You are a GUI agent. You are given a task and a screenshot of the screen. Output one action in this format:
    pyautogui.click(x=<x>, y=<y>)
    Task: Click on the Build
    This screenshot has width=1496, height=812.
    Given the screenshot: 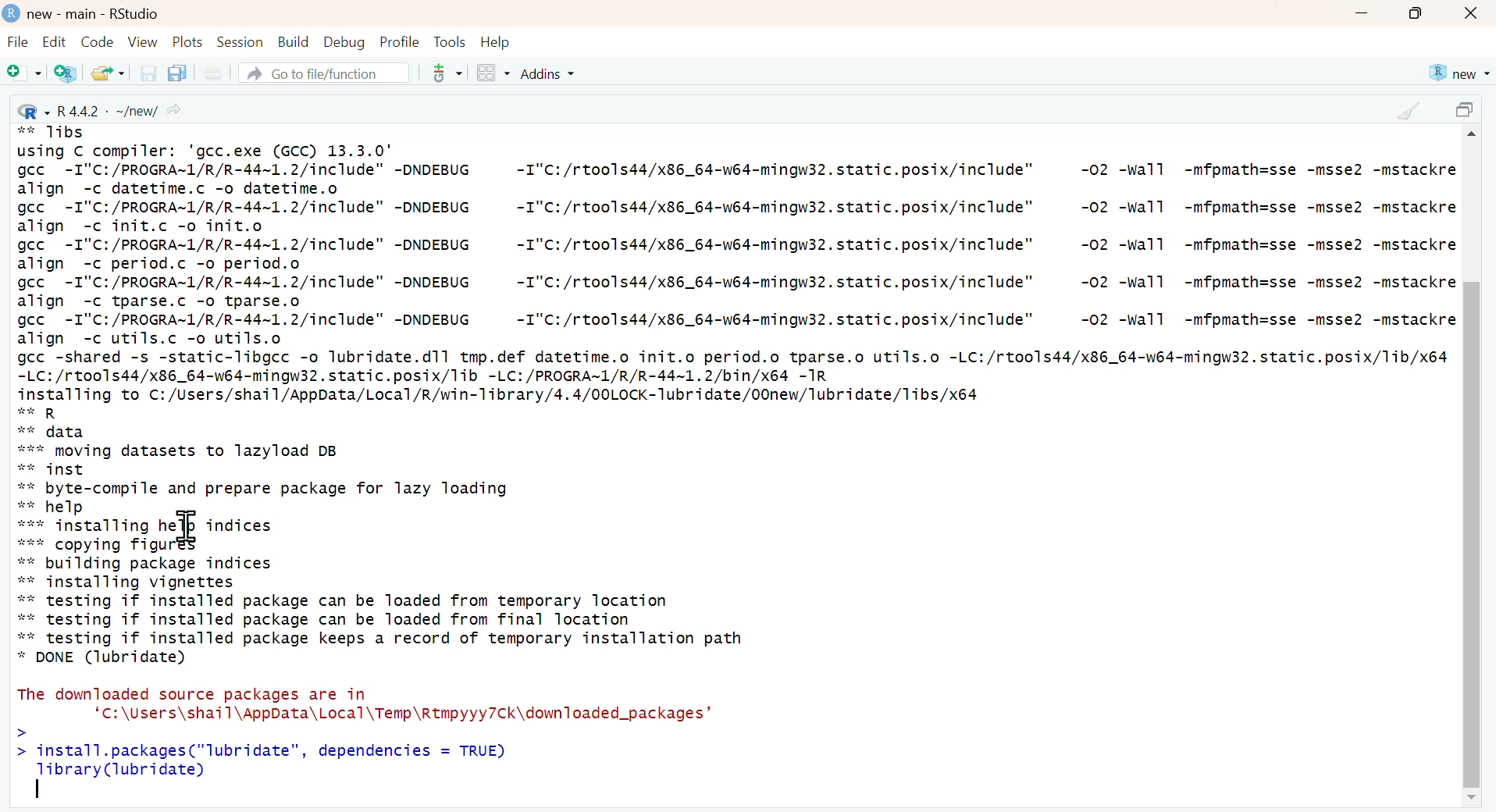 What is the action you would take?
    pyautogui.click(x=293, y=42)
    